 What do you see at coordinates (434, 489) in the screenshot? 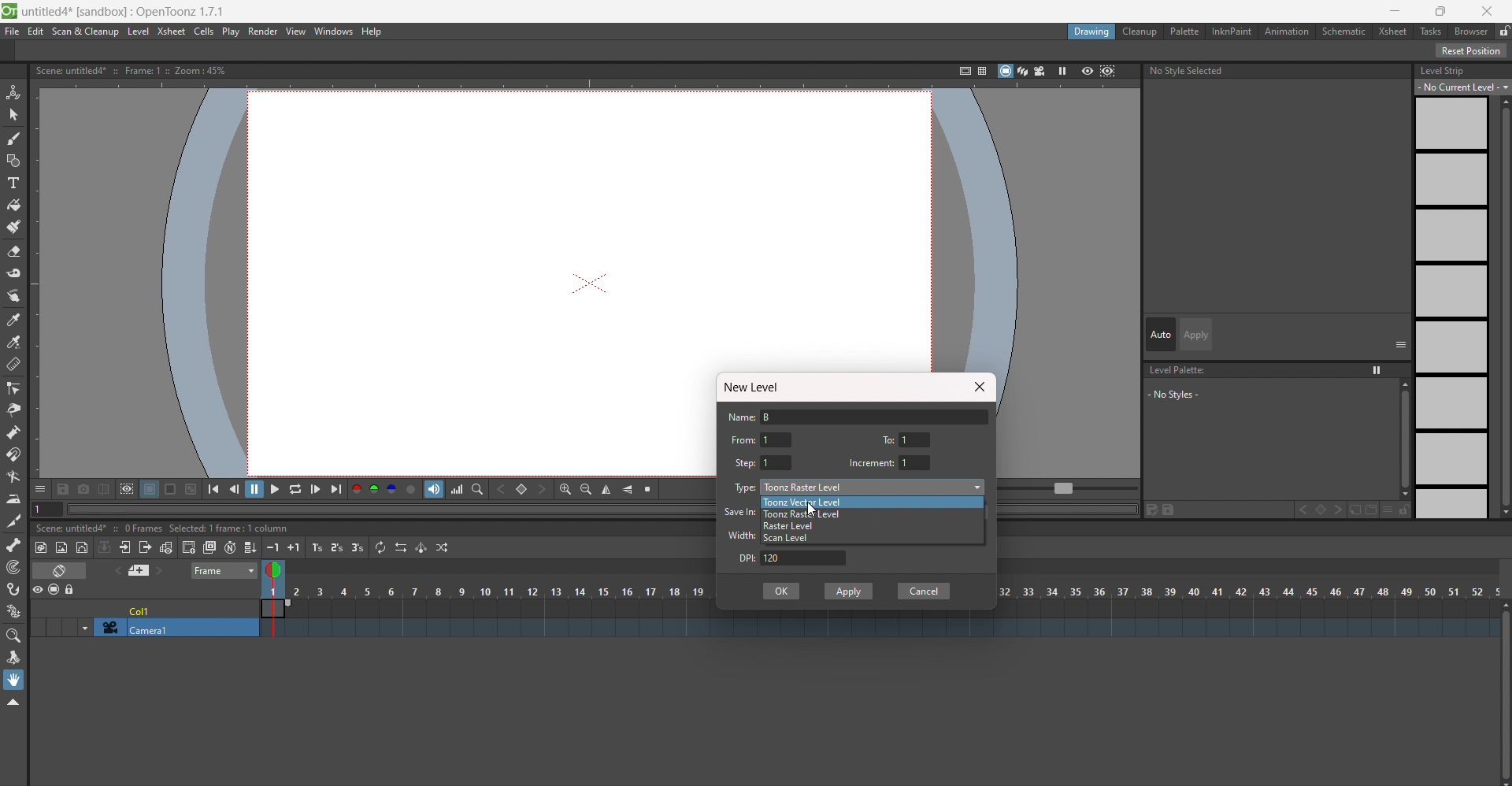
I see `soundtrack` at bounding box center [434, 489].